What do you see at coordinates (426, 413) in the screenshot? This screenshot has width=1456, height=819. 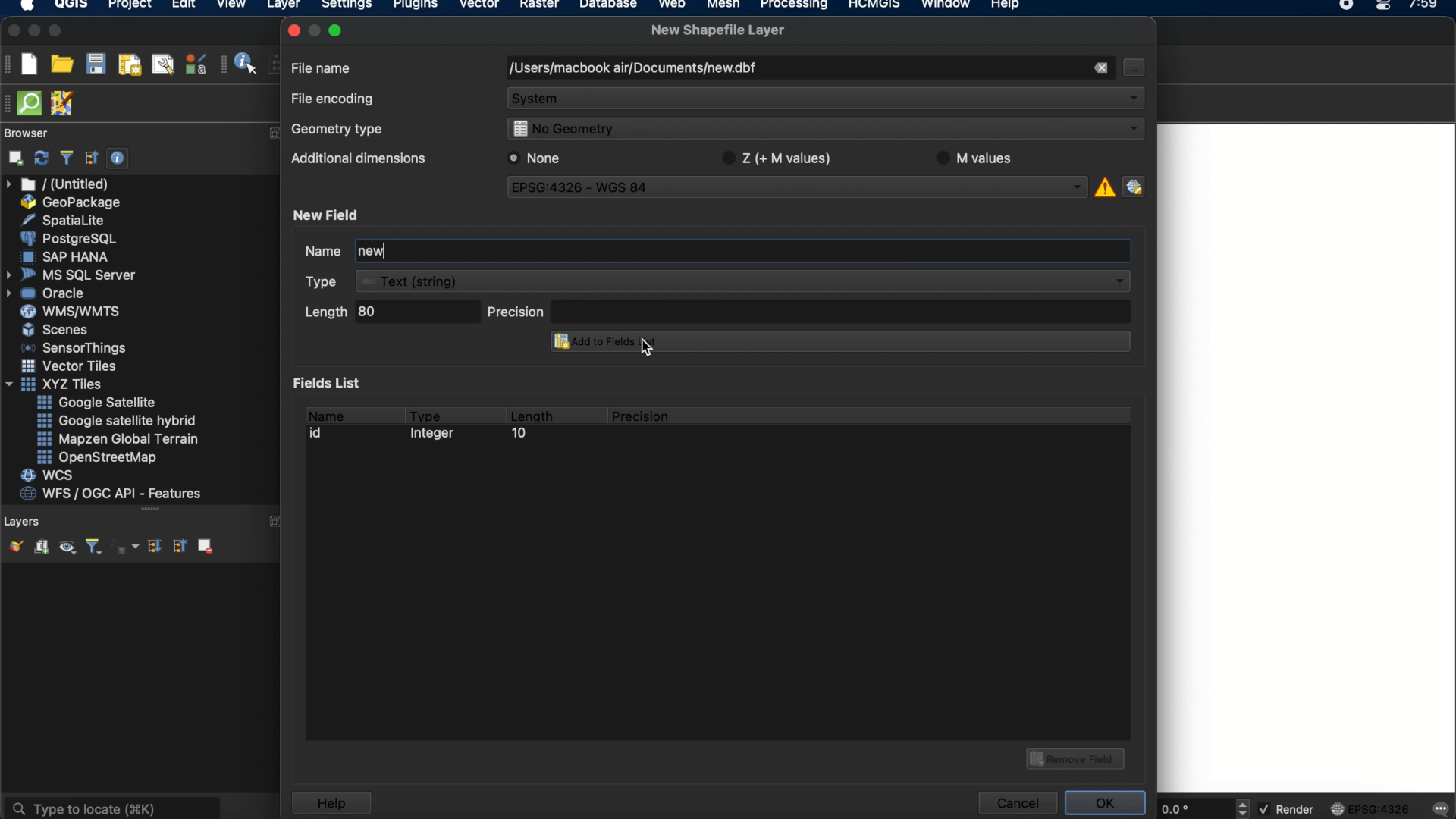 I see `type` at bounding box center [426, 413].